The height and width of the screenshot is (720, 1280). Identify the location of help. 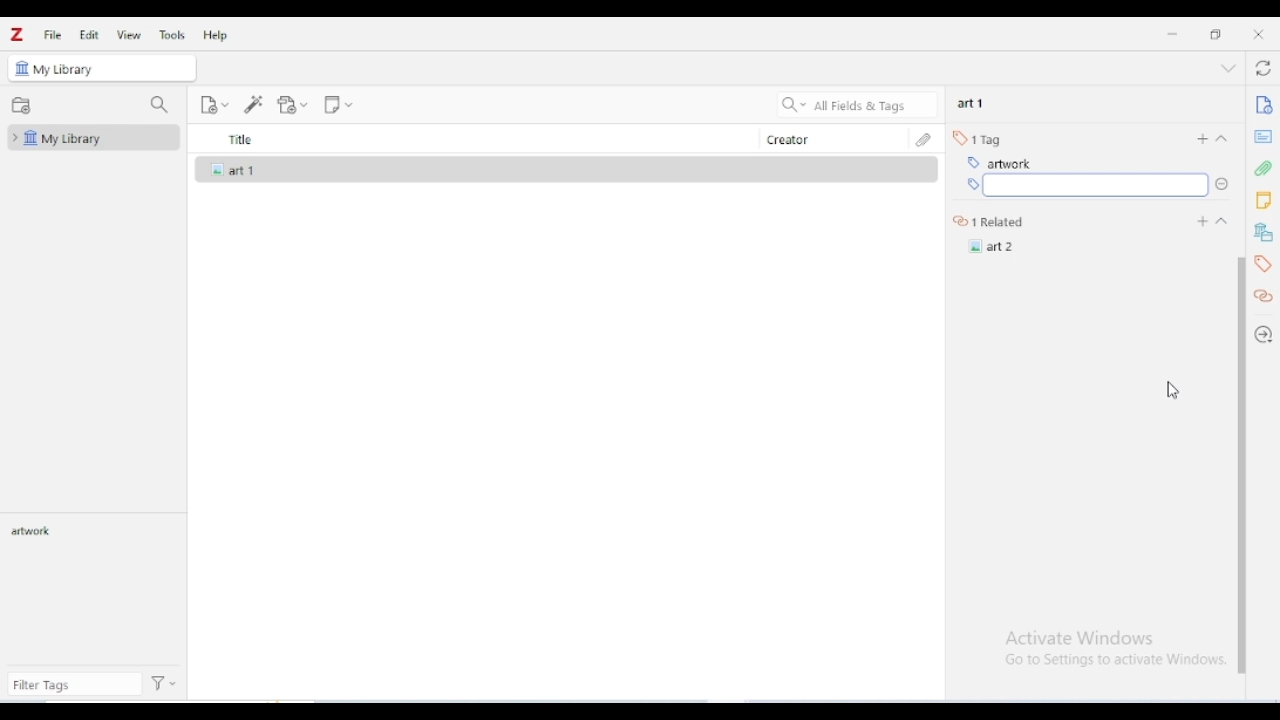
(216, 35).